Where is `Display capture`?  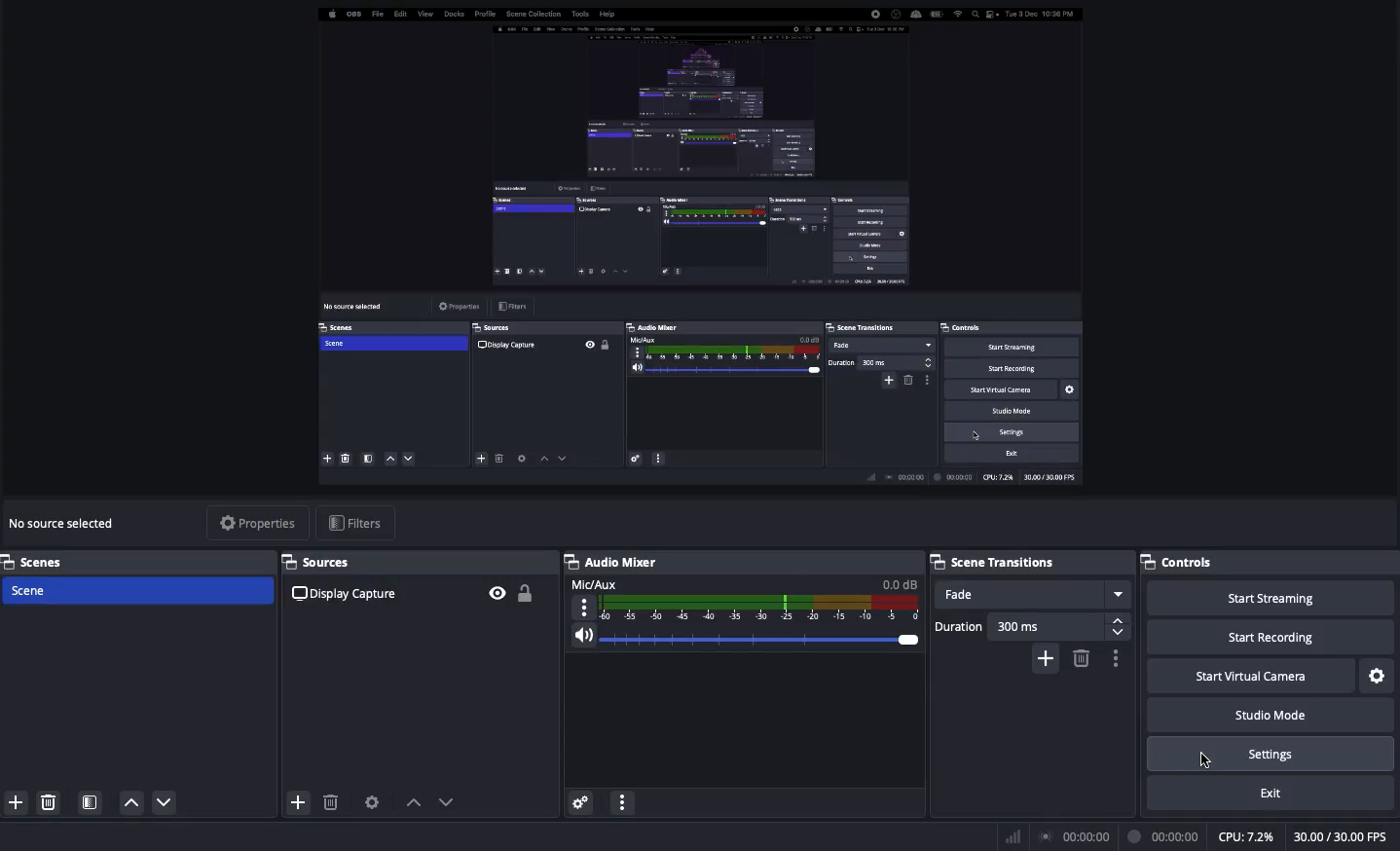
Display capture is located at coordinates (341, 594).